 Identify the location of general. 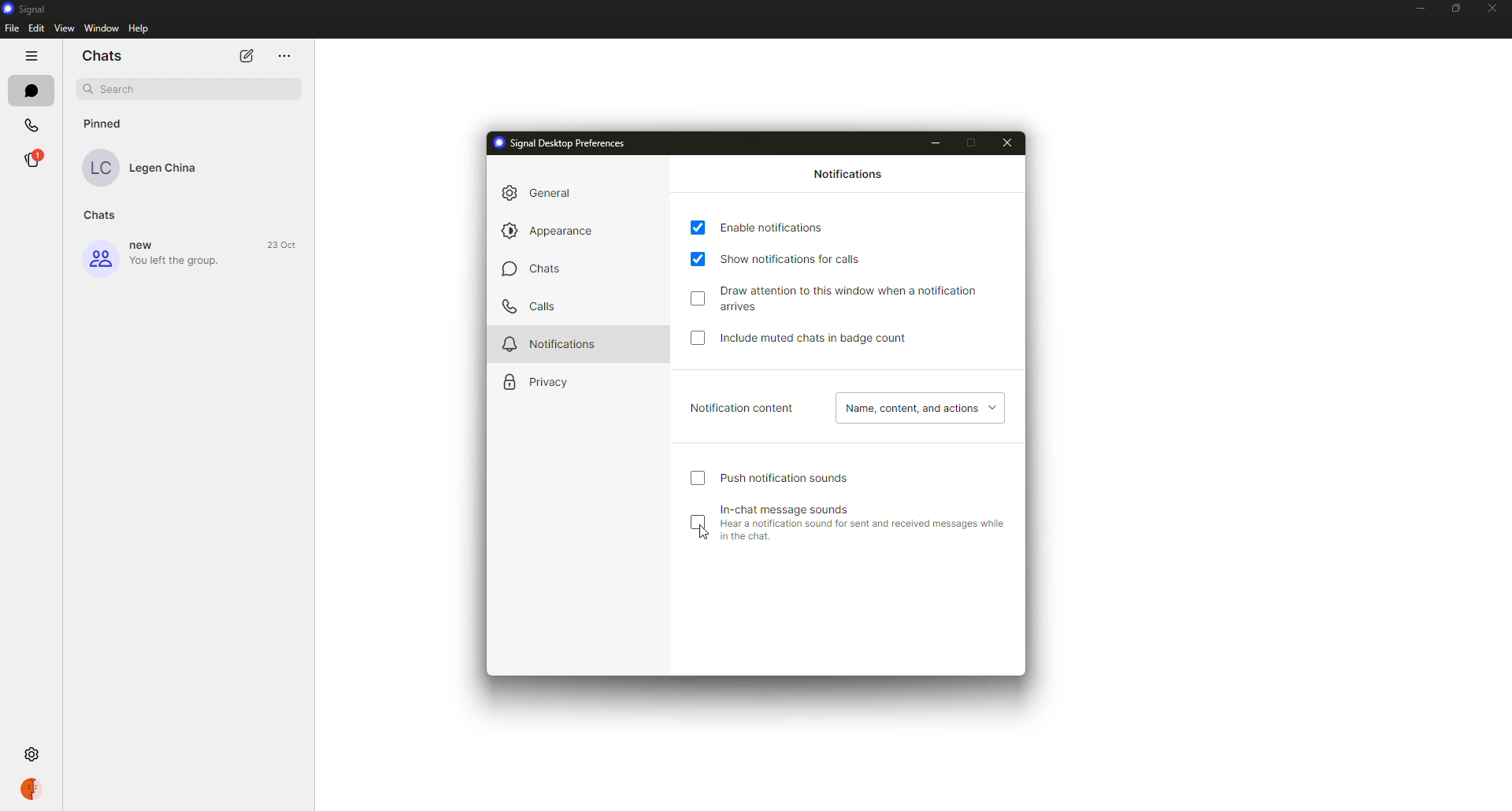
(537, 194).